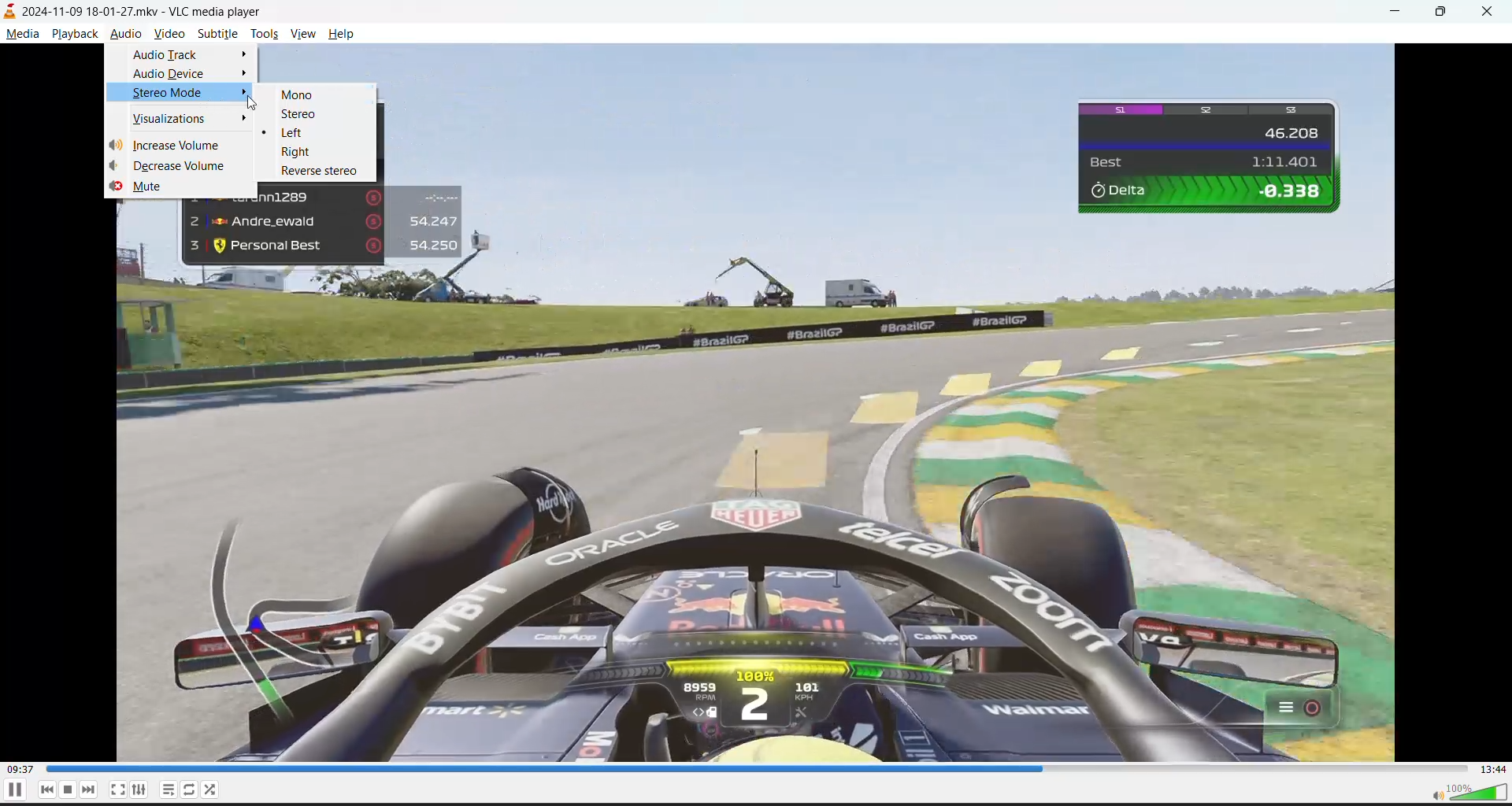  I want to click on current track time, so click(20, 767).